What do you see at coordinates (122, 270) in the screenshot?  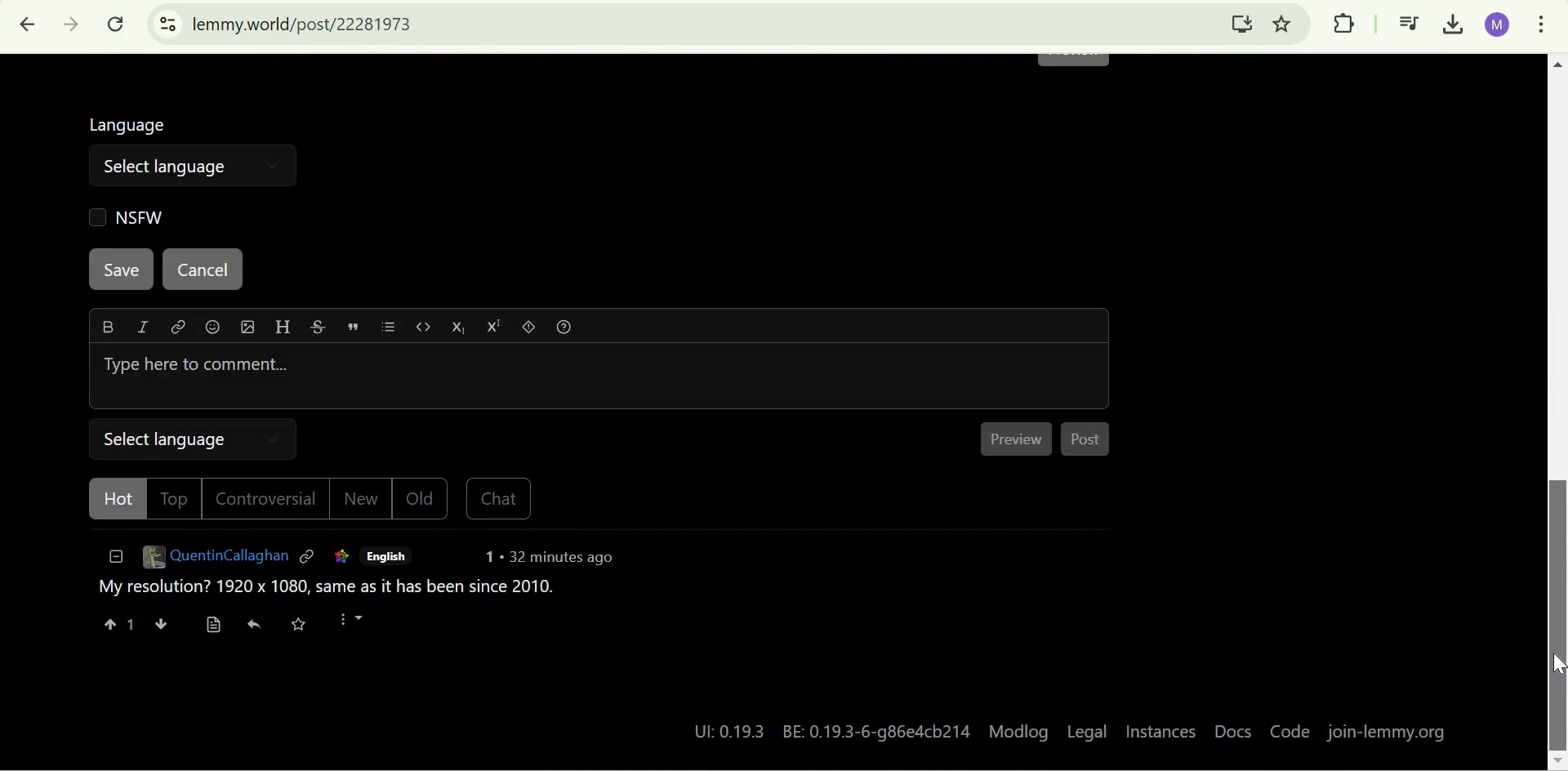 I see `Save` at bounding box center [122, 270].